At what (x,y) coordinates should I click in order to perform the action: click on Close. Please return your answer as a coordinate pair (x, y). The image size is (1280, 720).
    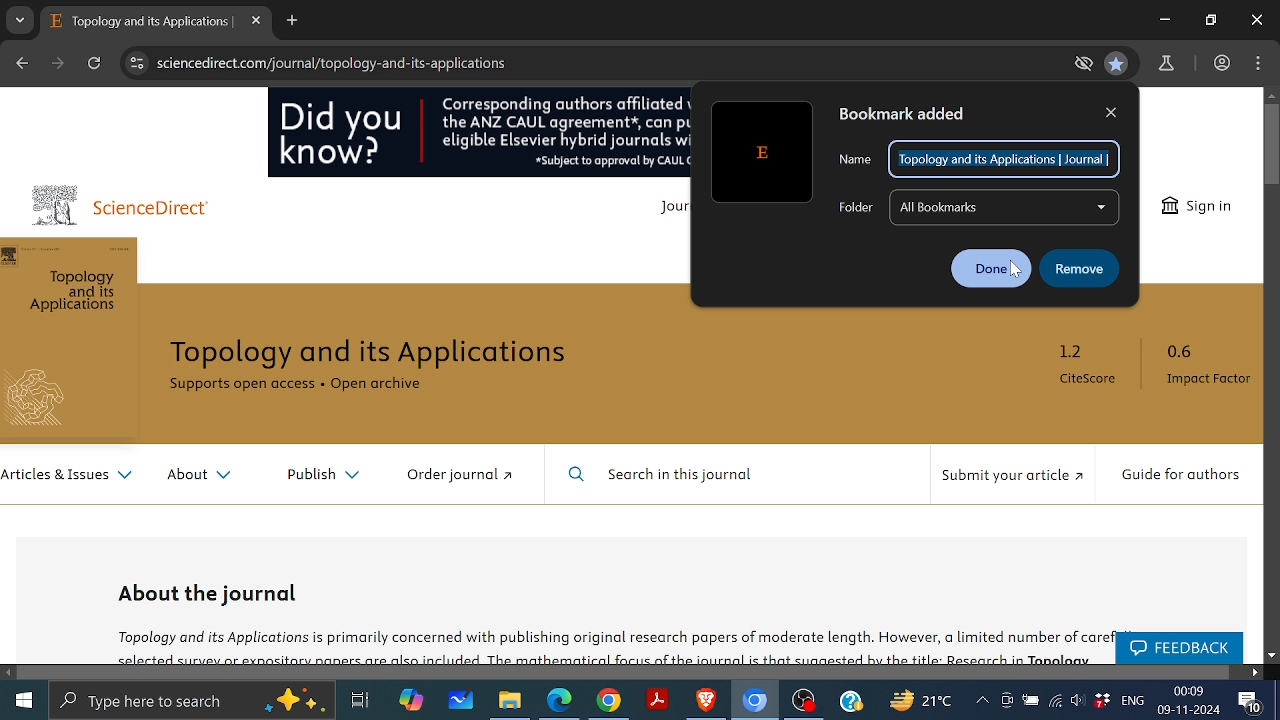
    Looking at the image, I should click on (1112, 111).